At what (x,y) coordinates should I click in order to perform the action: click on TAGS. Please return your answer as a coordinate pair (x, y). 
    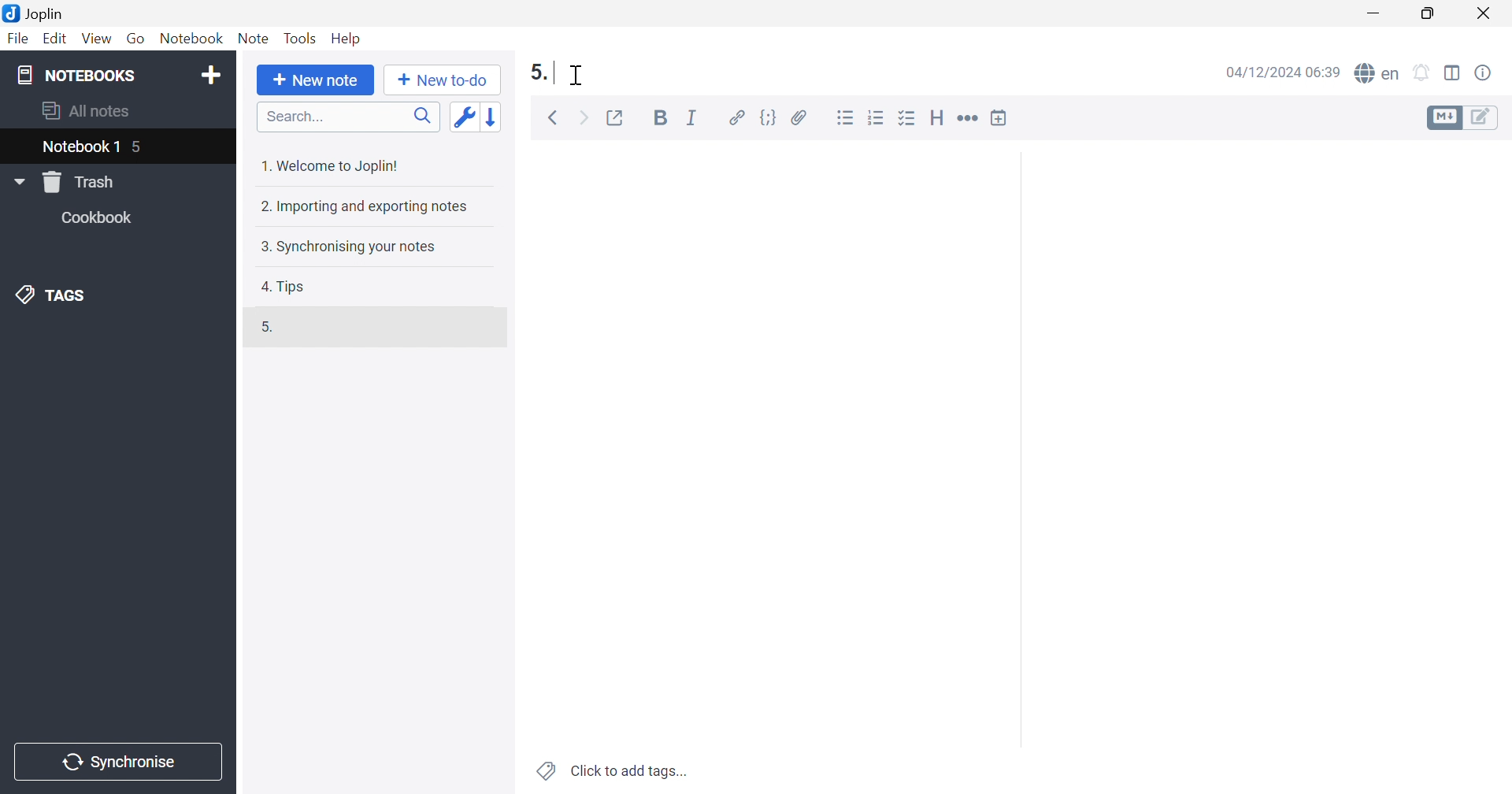
    Looking at the image, I should click on (59, 295).